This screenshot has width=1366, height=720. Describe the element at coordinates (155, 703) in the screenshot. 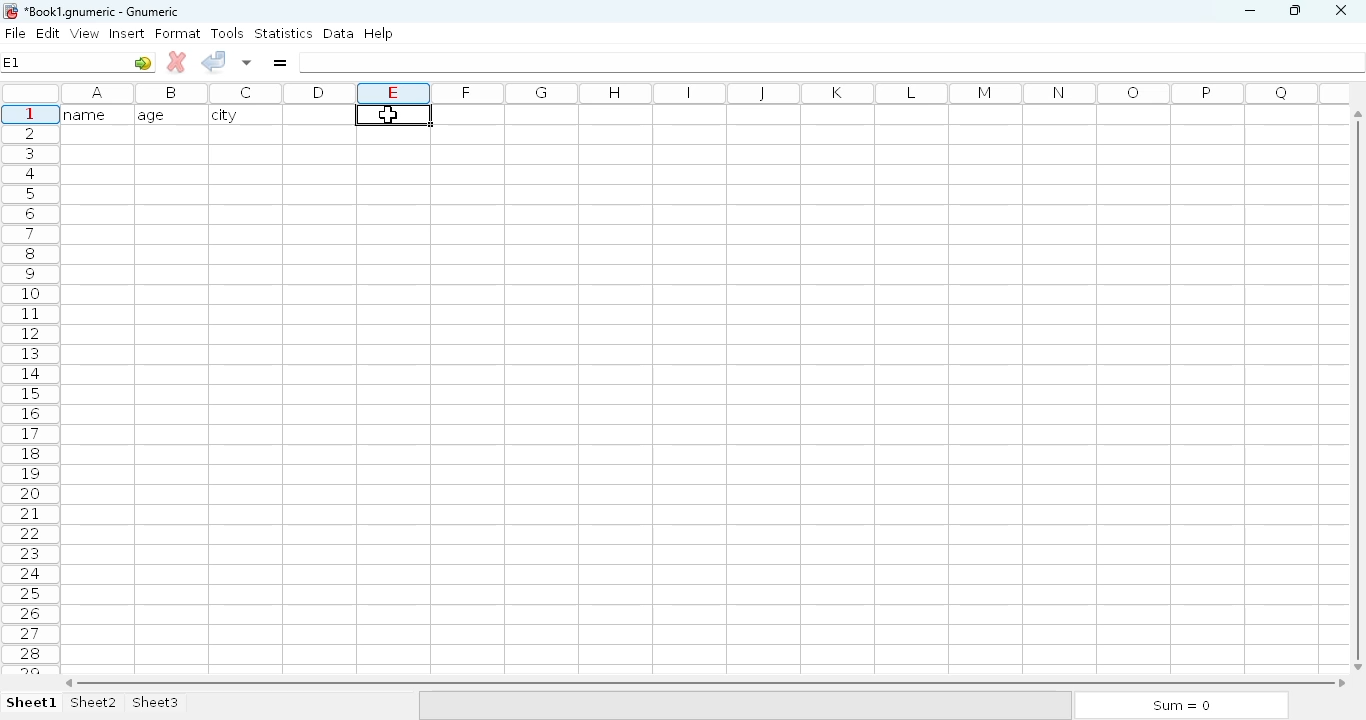

I see `sheet3` at that location.